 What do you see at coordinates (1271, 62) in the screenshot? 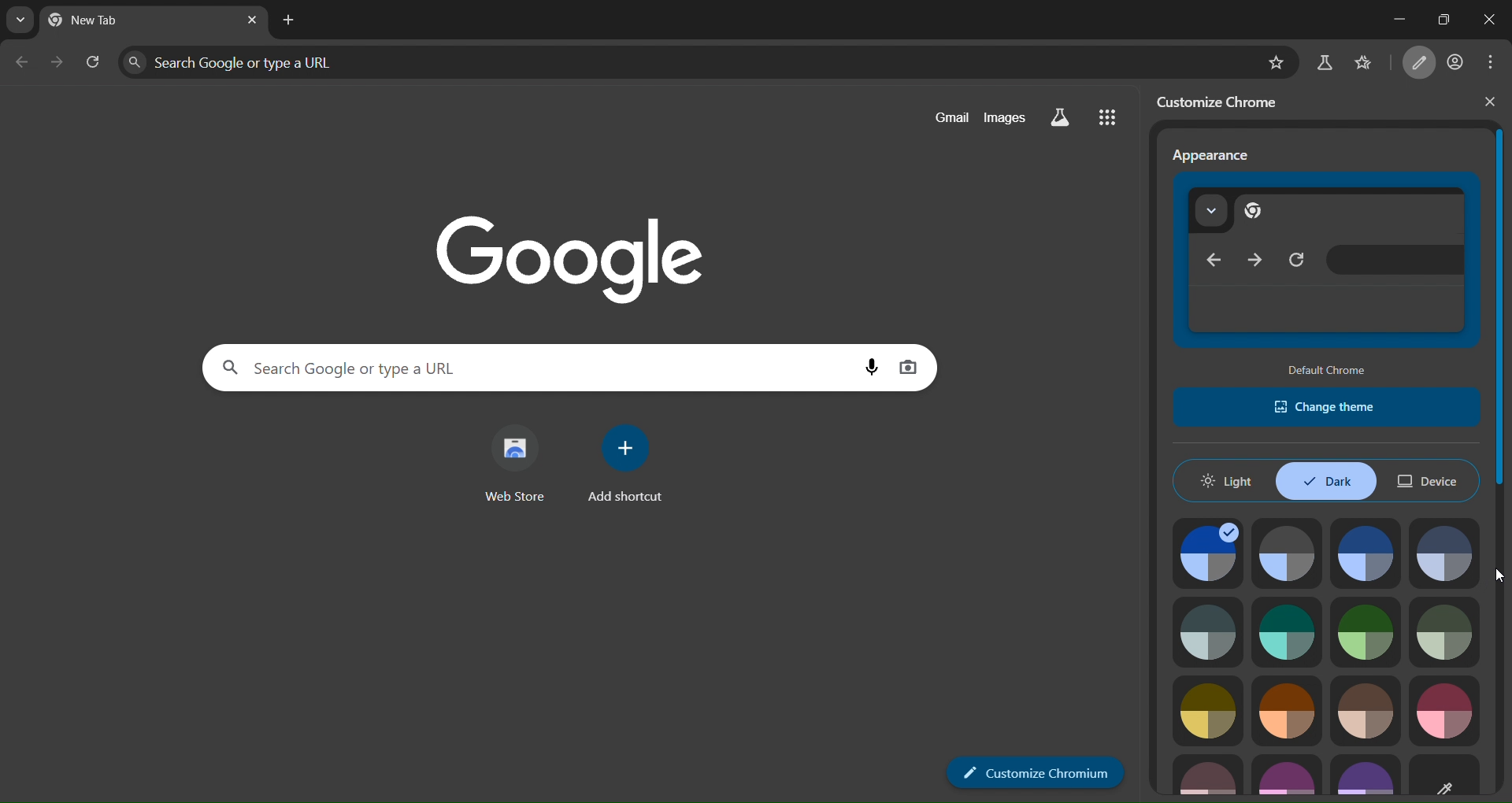
I see `bookmark page` at bounding box center [1271, 62].